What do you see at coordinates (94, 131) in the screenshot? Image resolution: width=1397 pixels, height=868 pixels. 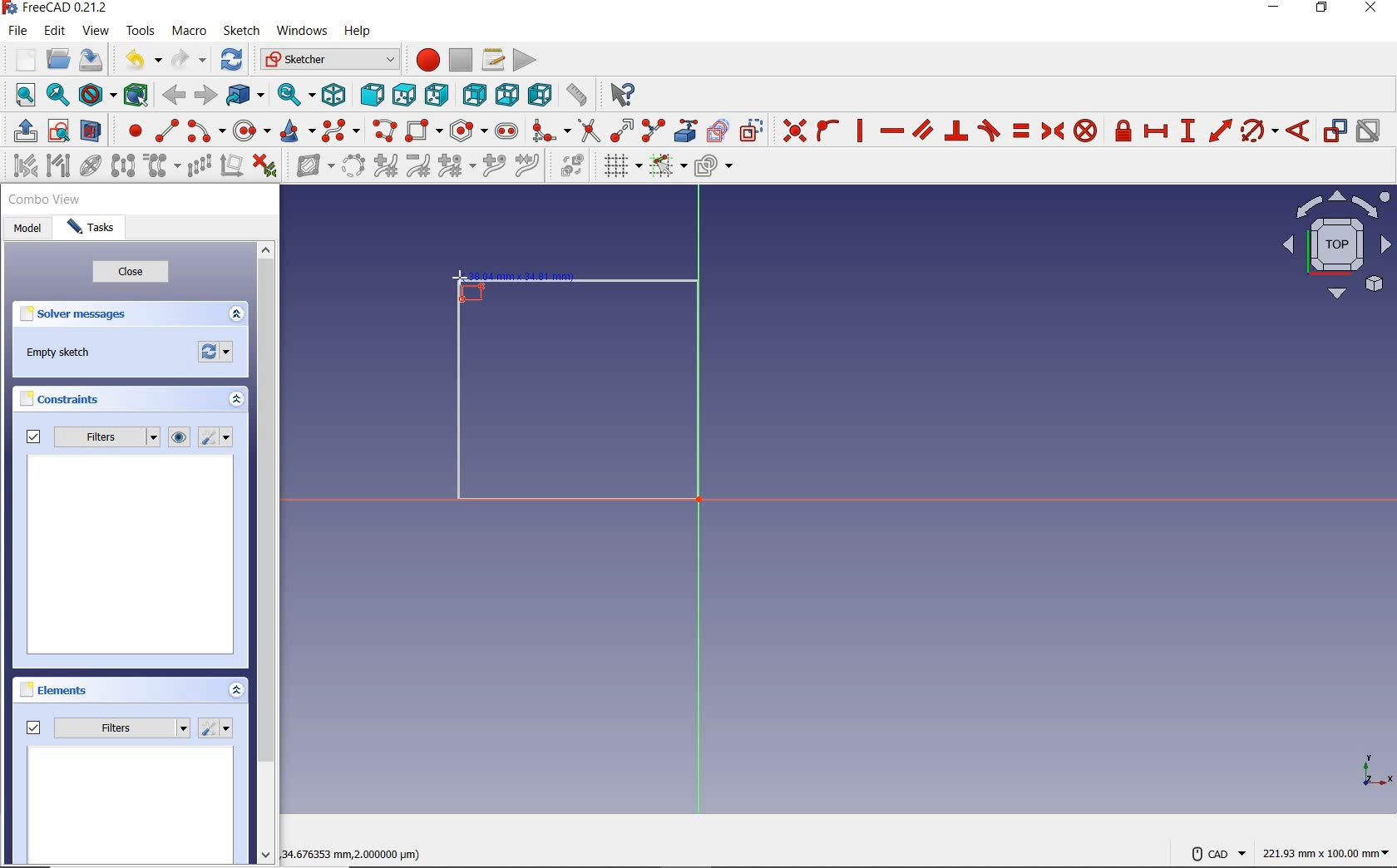 I see `view section` at bounding box center [94, 131].